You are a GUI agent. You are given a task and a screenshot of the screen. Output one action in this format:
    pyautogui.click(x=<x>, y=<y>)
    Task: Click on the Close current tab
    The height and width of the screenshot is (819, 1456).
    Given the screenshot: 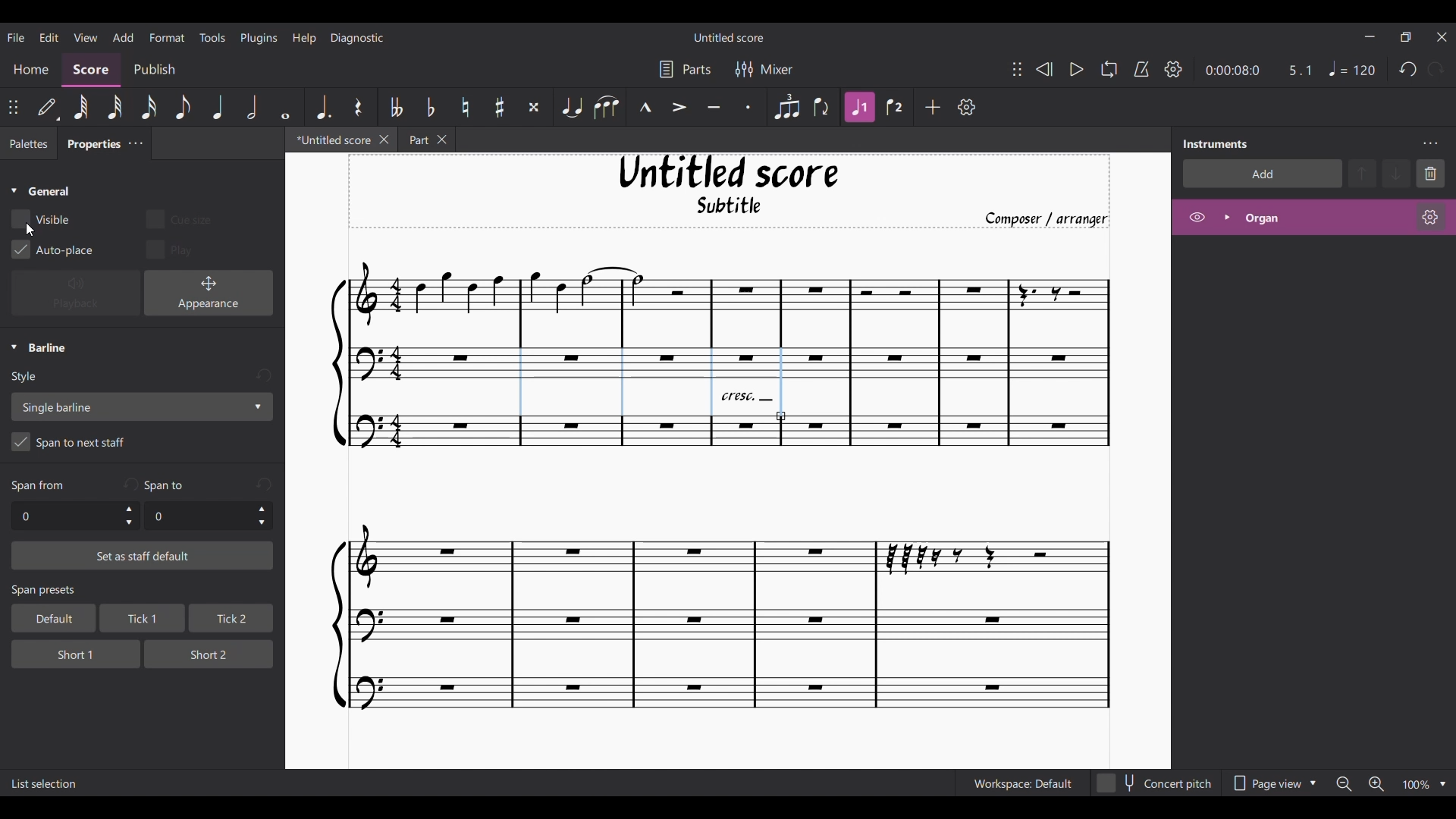 What is the action you would take?
    pyautogui.click(x=384, y=139)
    